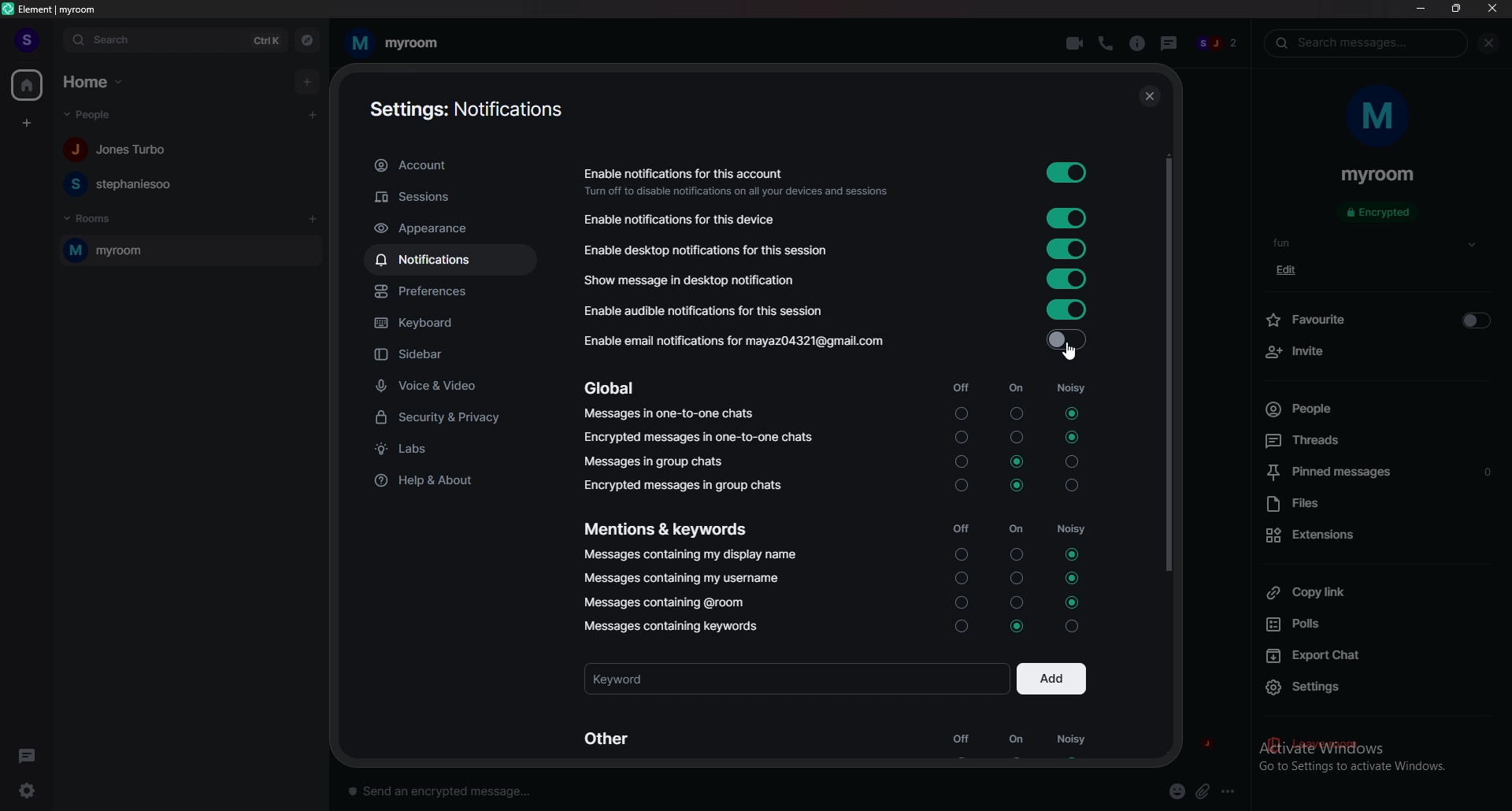 The image size is (1512, 811). Describe the element at coordinates (670, 414) in the screenshot. I see `messages in one to one chats` at that location.